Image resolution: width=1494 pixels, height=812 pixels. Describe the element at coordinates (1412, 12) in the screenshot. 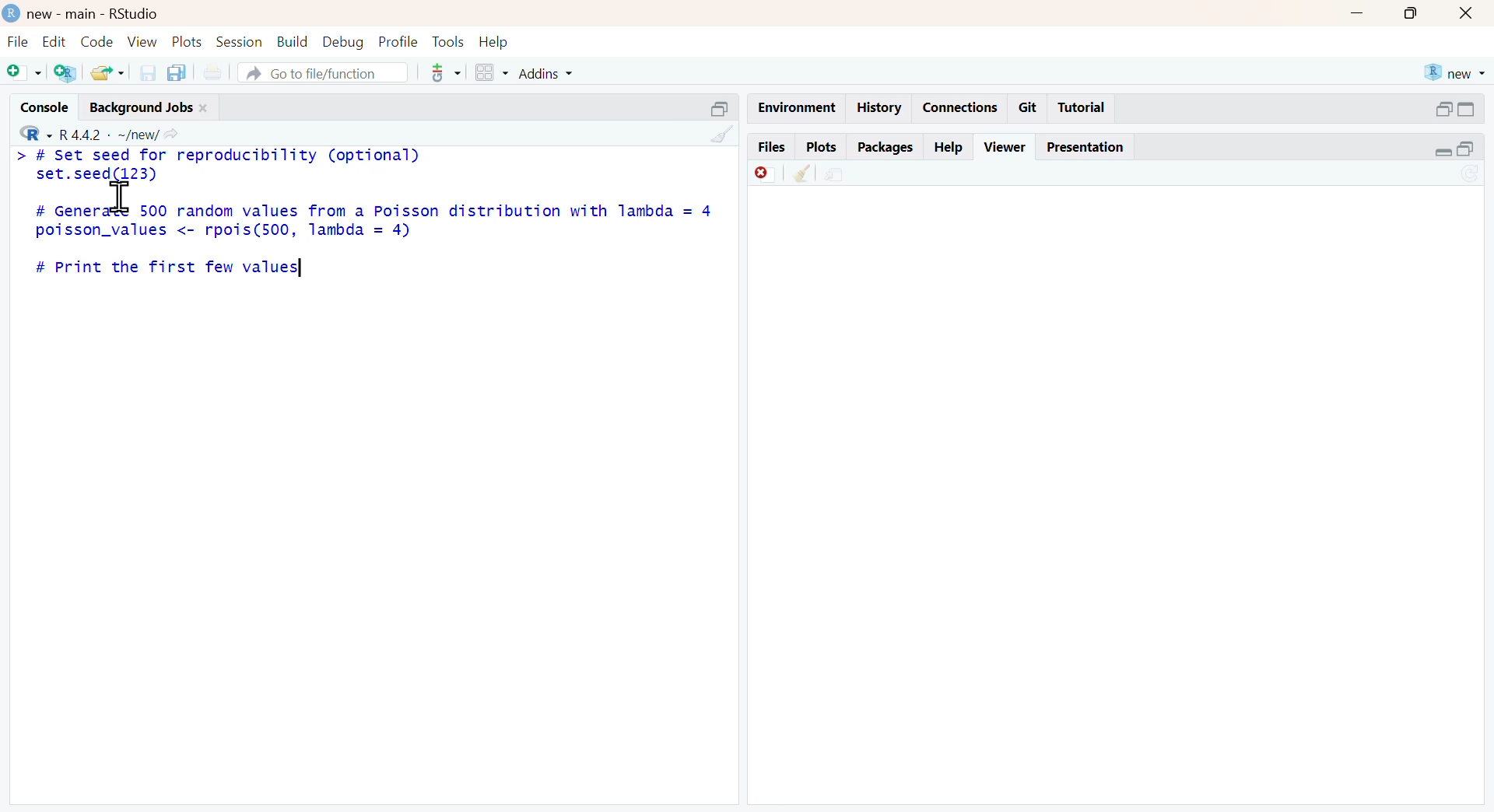

I see `maximise` at that location.